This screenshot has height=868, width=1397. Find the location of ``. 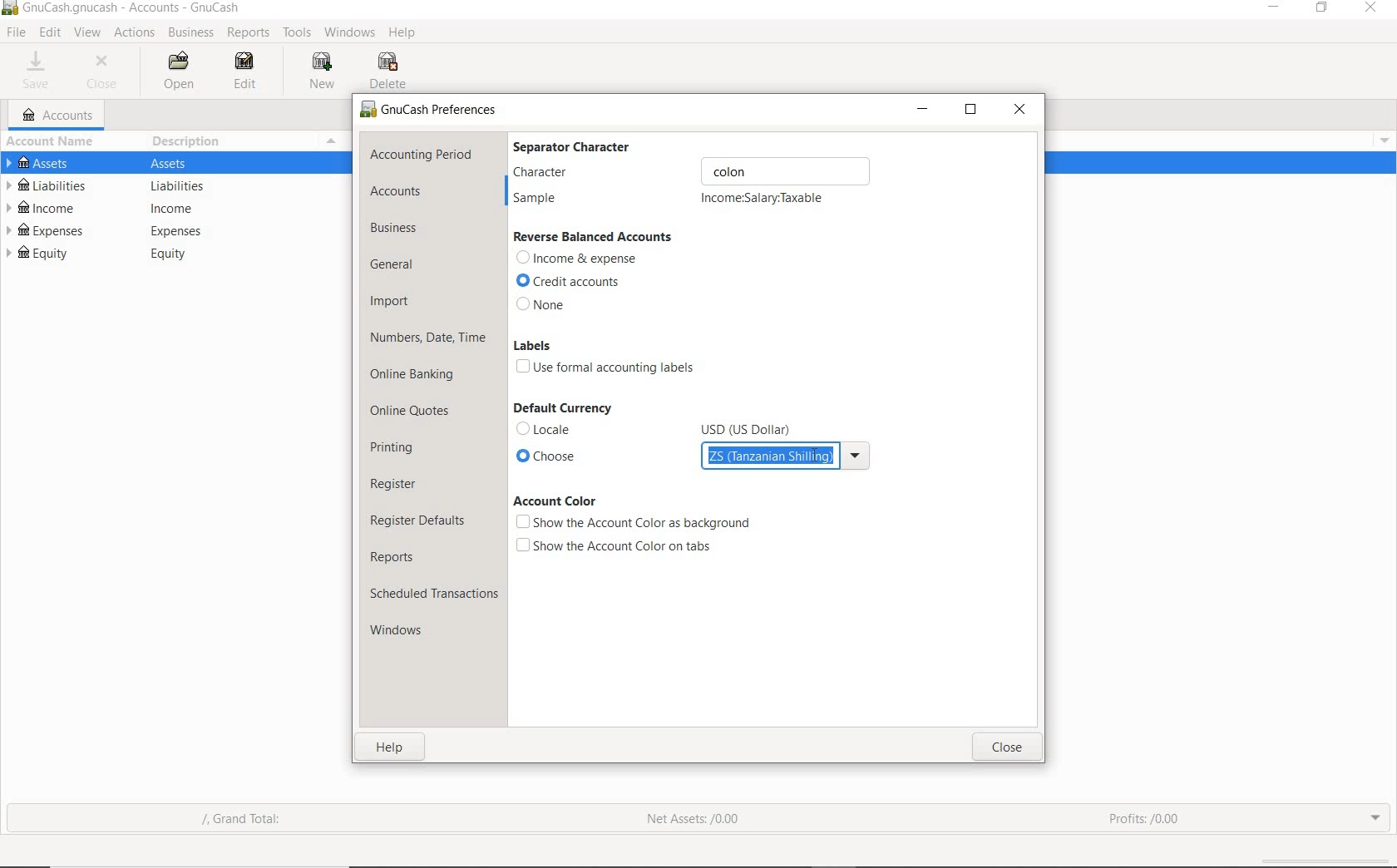

 is located at coordinates (10, 11).